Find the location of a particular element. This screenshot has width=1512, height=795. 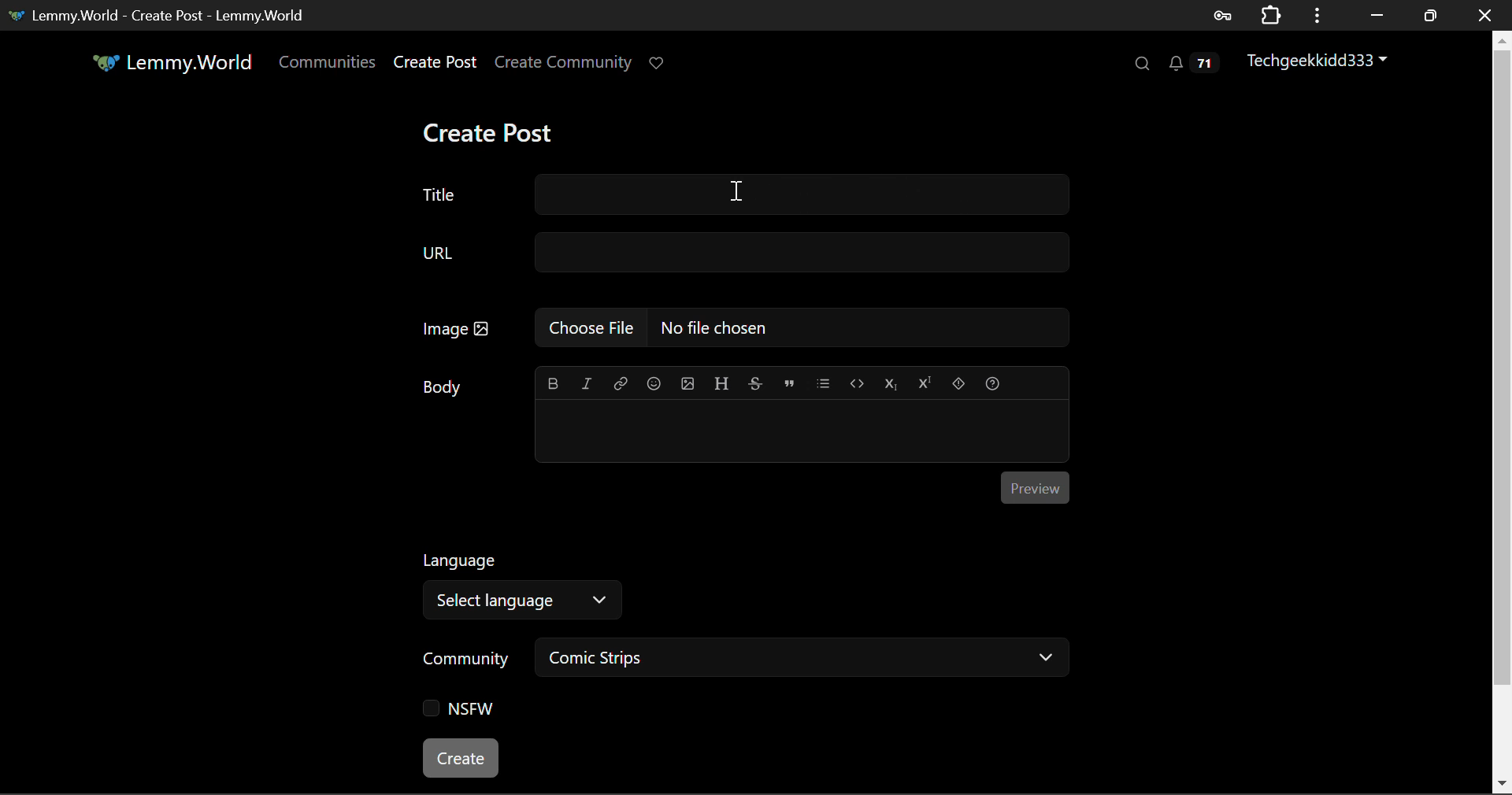

URL is located at coordinates (743, 253).